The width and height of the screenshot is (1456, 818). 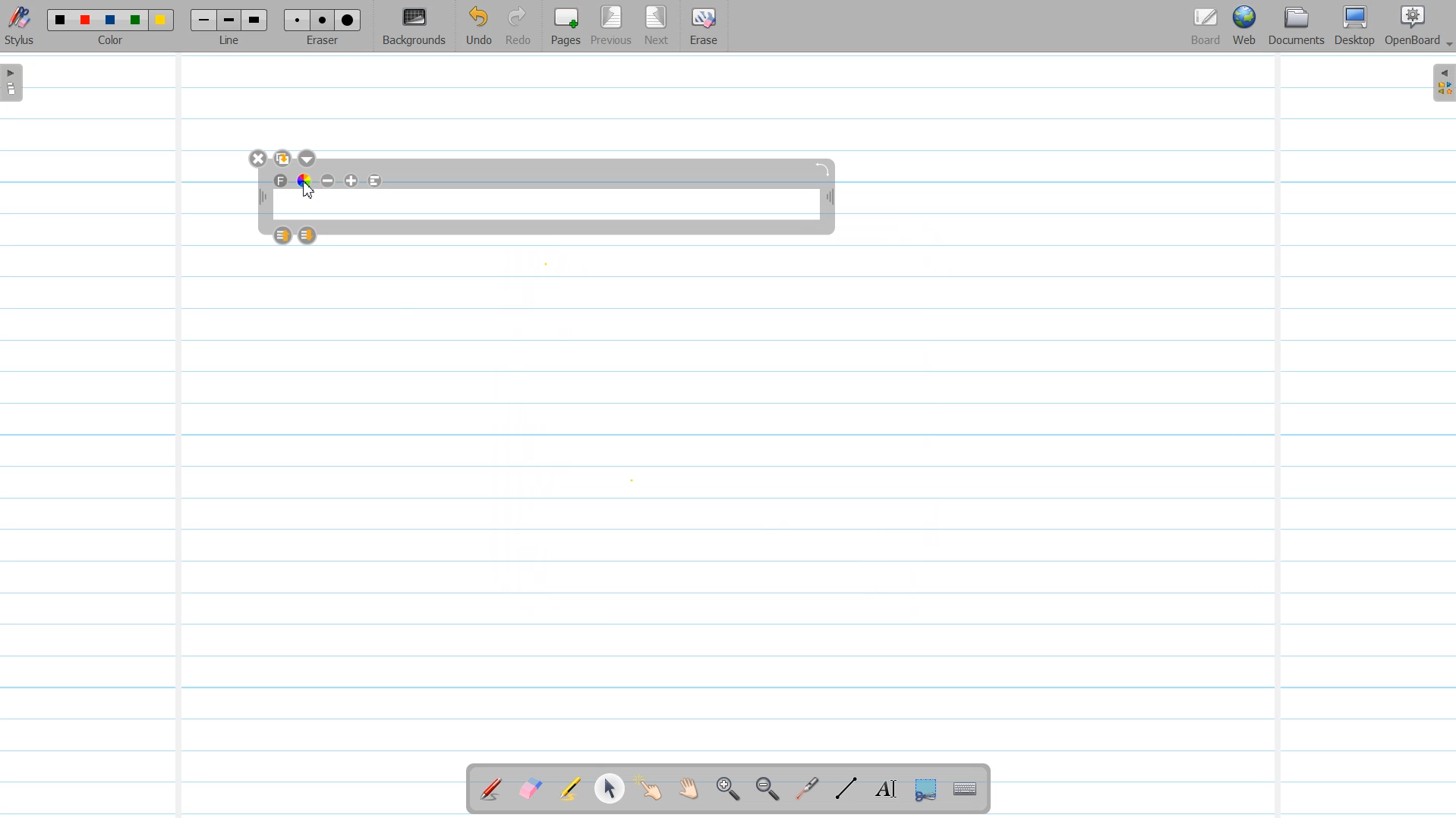 What do you see at coordinates (284, 159) in the screenshot?
I see `Duplicate text ` at bounding box center [284, 159].